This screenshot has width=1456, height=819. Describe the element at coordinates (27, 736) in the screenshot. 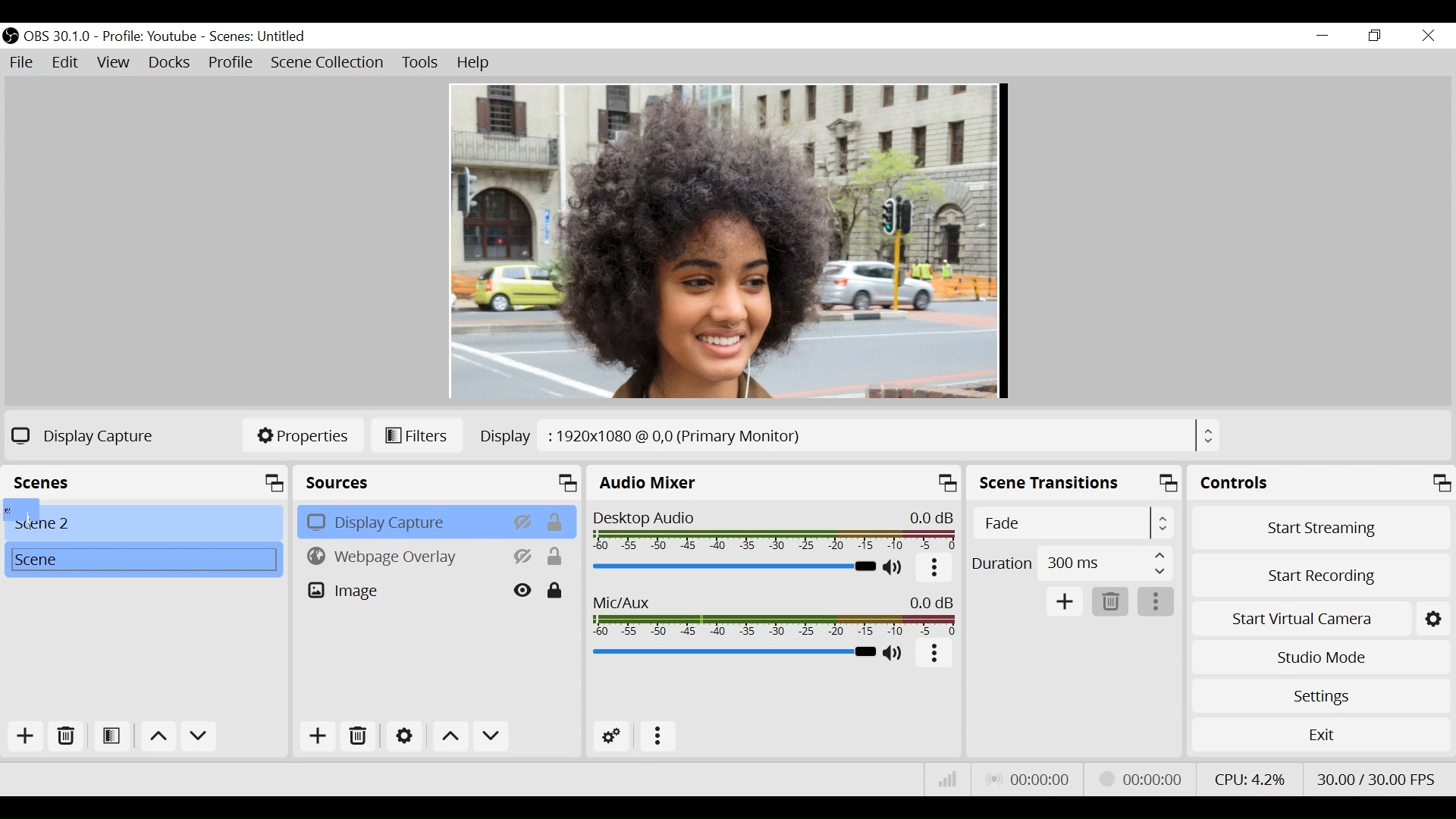

I see `Add` at that location.